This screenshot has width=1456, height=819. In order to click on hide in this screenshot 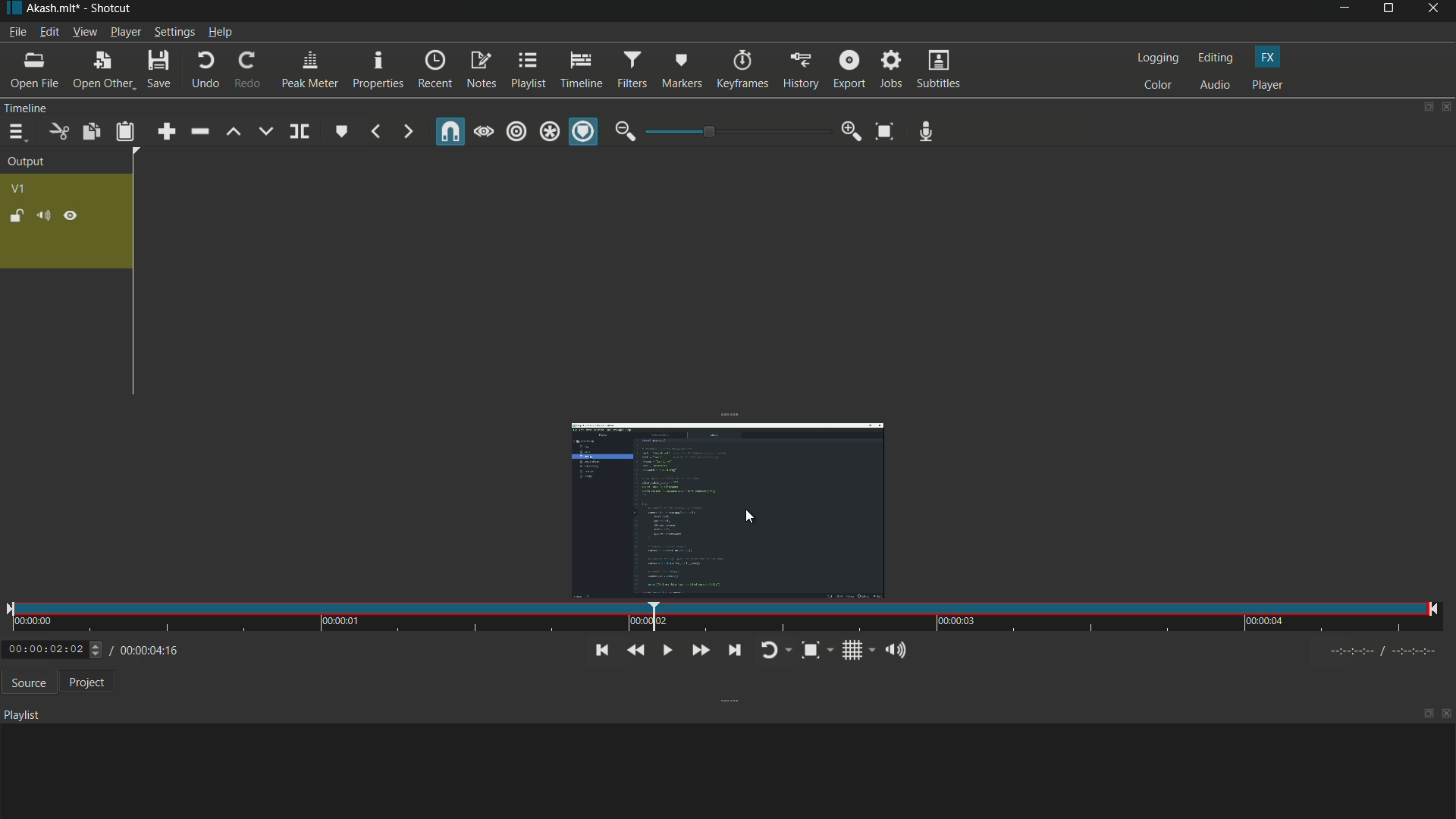, I will do `click(70, 216)`.